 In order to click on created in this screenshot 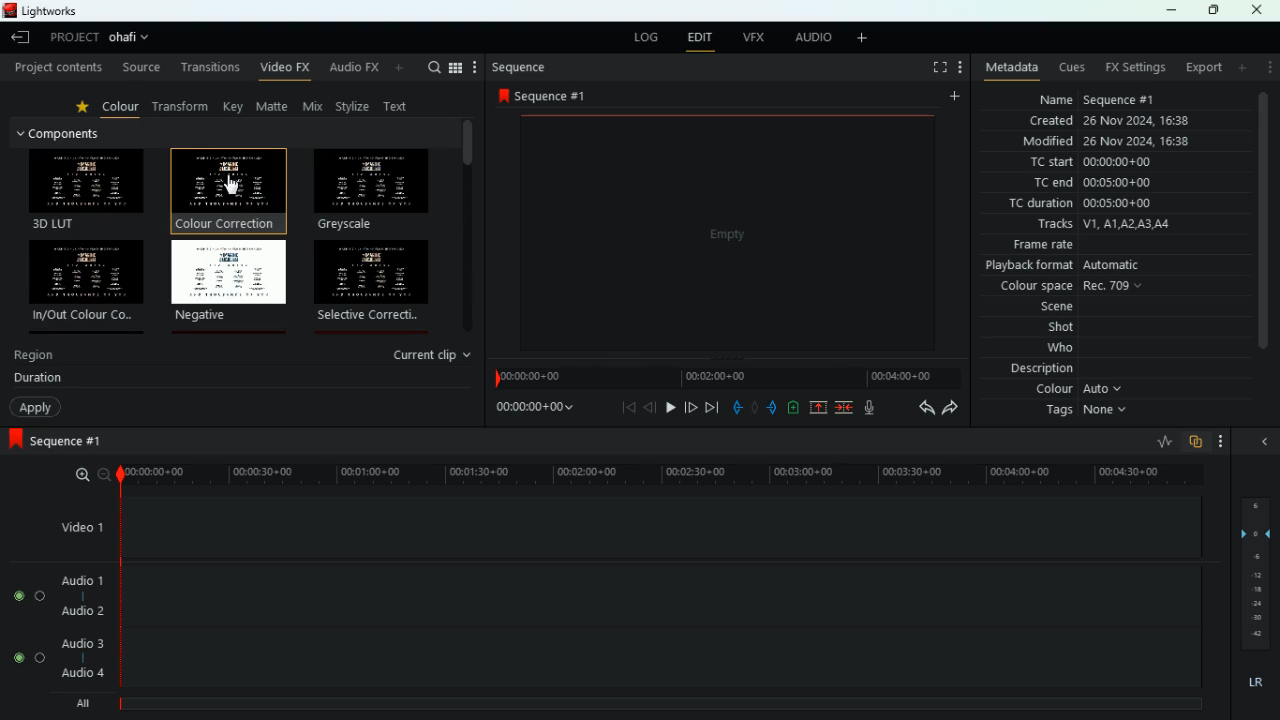, I will do `click(1110, 120)`.